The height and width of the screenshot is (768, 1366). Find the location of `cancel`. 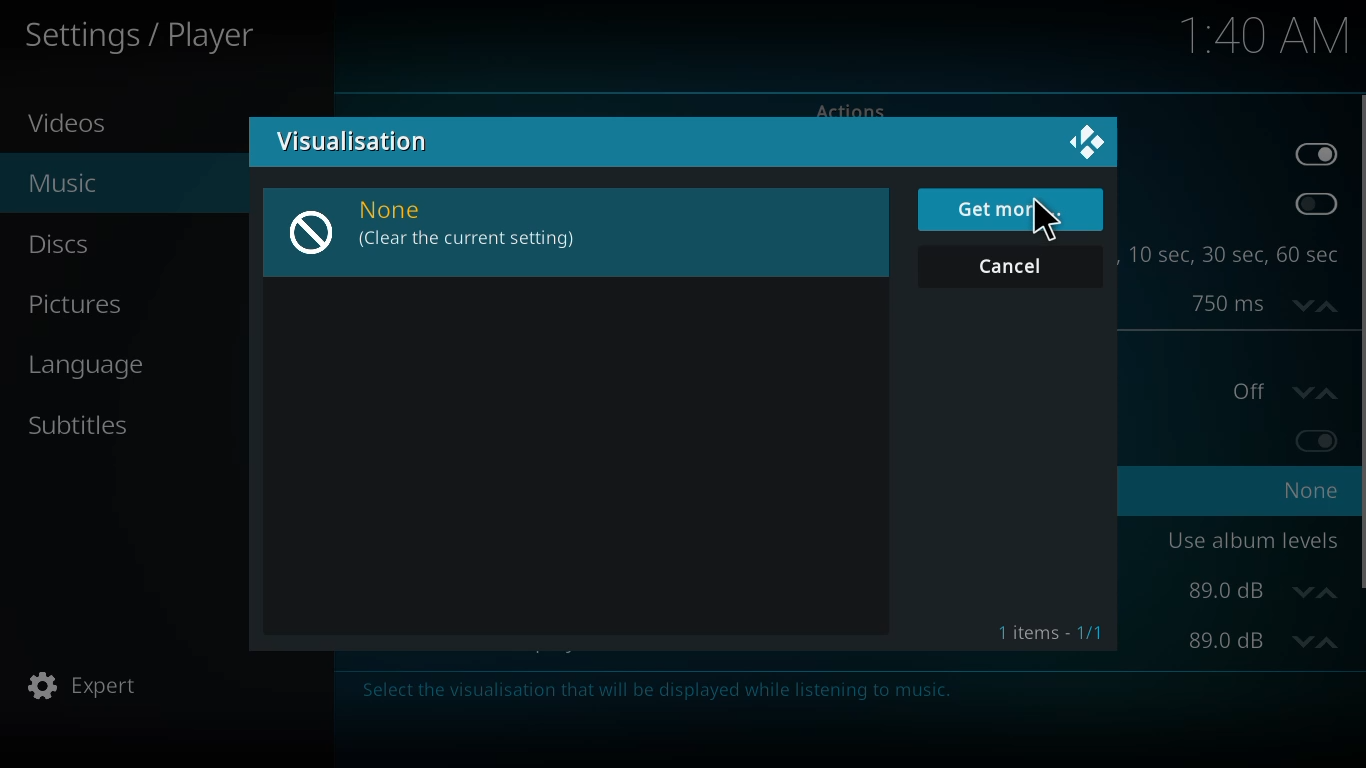

cancel is located at coordinates (1011, 266).